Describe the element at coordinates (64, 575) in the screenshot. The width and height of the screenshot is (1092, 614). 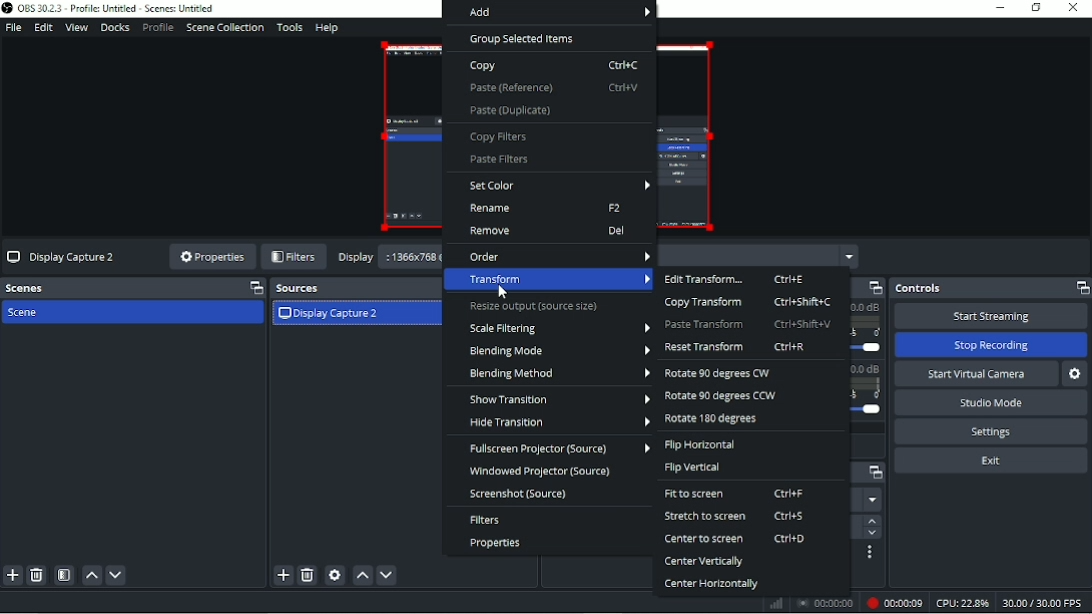
I see `Open scene filters` at that location.